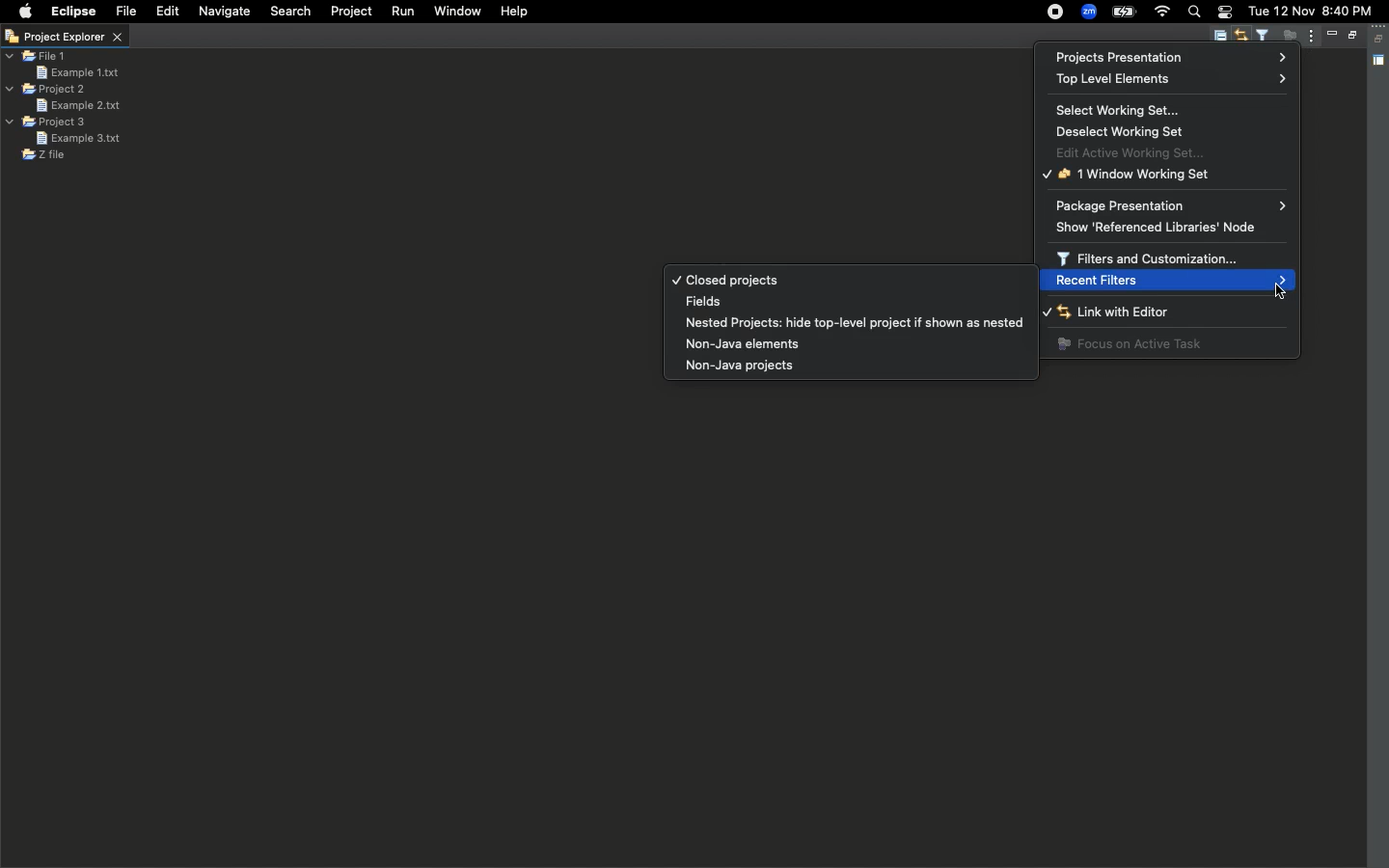 Image resolution: width=1389 pixels, height=868 pixels. Describe the element at coordinates (1266, 36) in the screenshot. I see `Select and deselect filters ` at that location.